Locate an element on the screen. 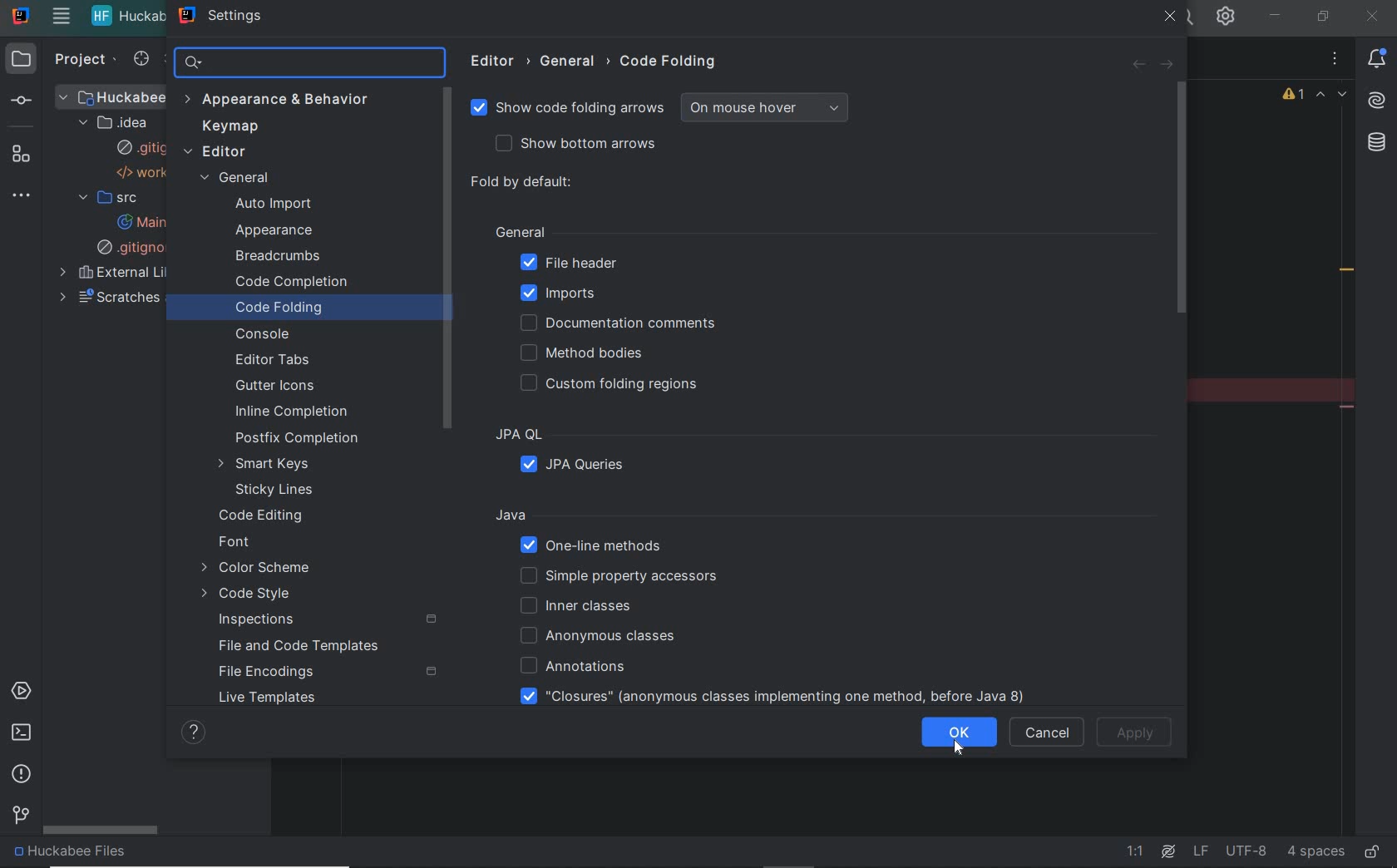 This screenshot has height=868, width=1397. one-line methods is located at coordinates (595, 546).